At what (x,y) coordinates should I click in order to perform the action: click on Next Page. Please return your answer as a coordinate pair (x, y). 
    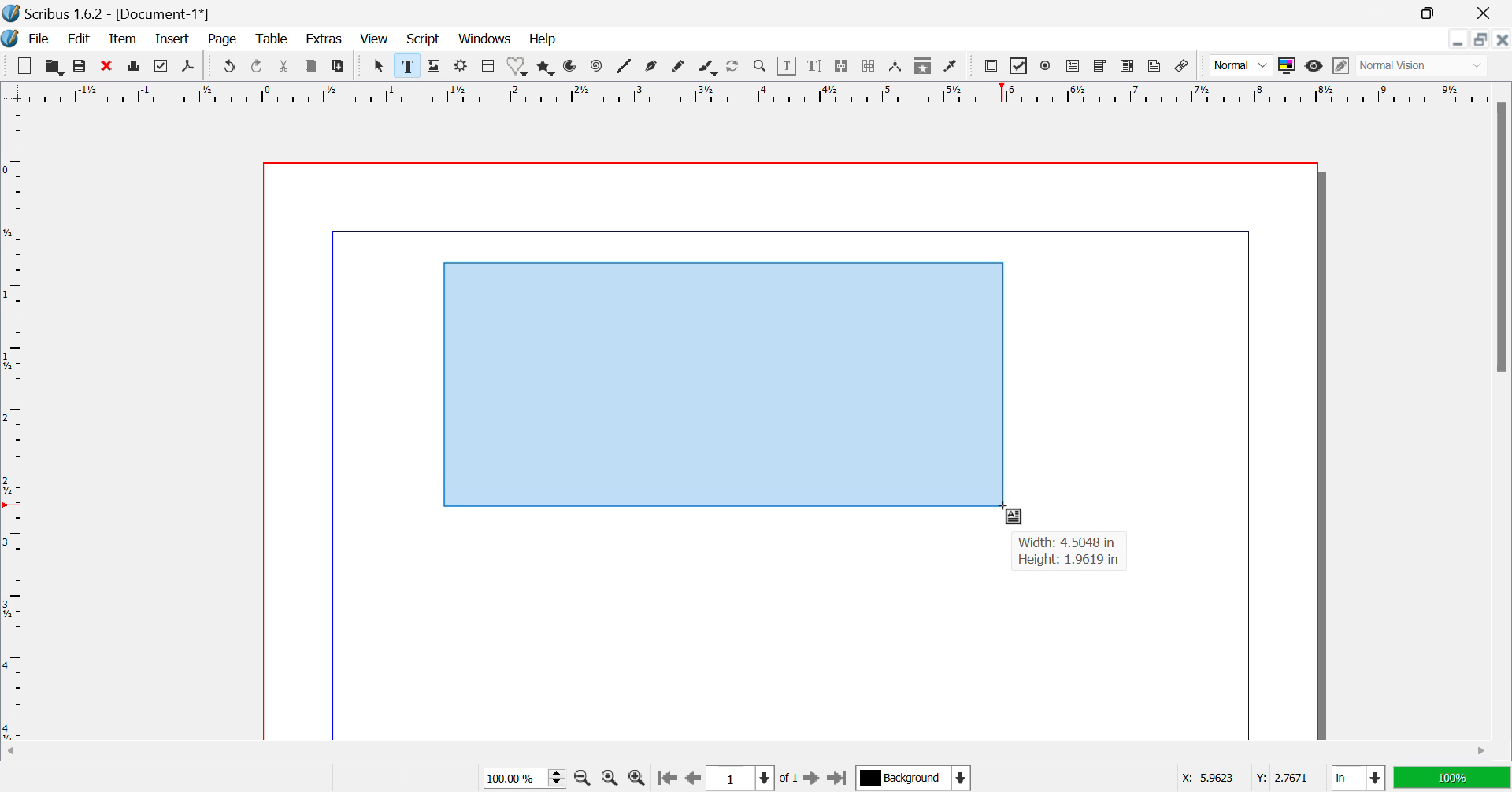
    Looking at the image, I should click on (813, 777).